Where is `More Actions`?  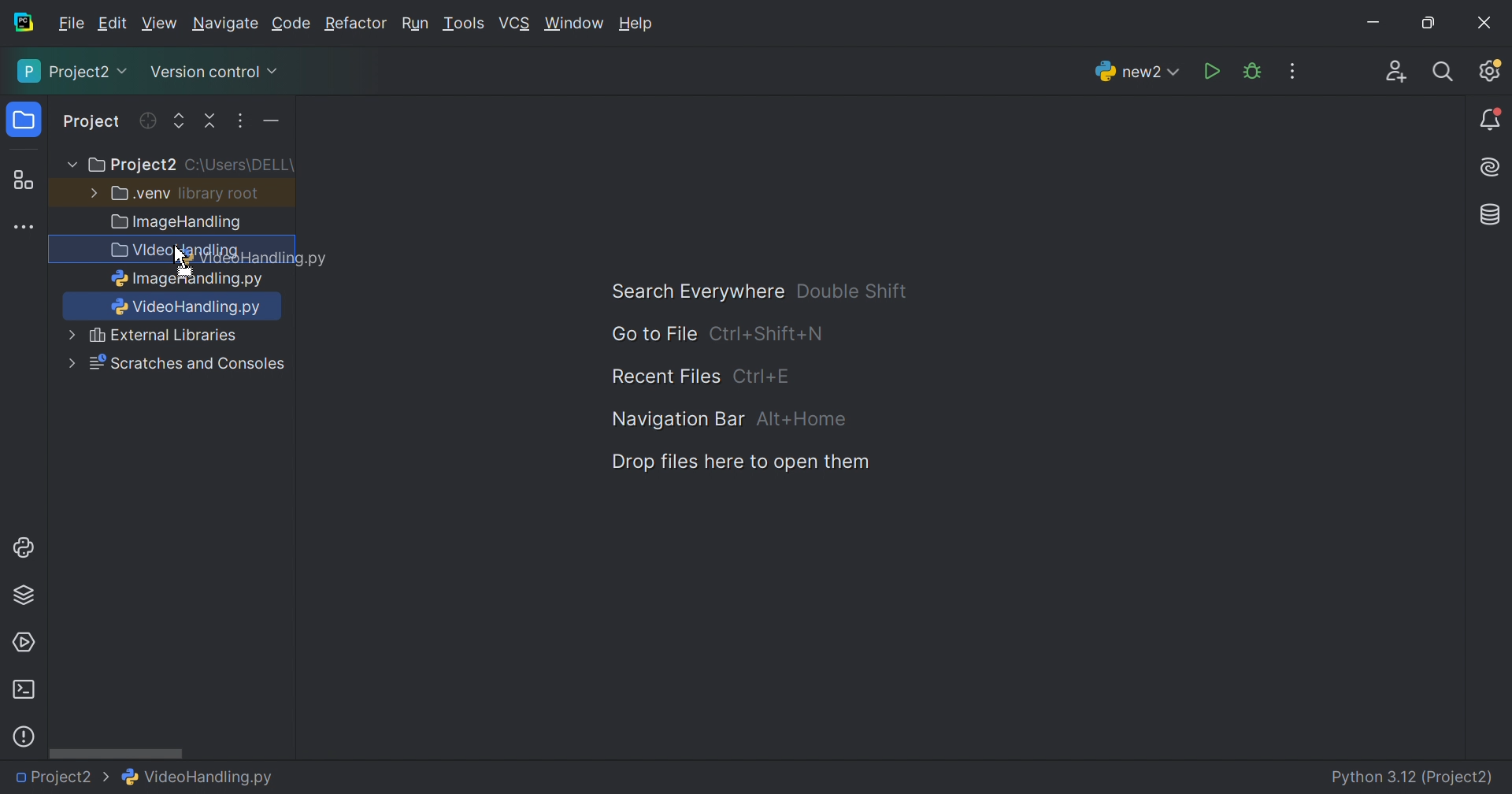 More Actions is located at coordinates (1292, 71).